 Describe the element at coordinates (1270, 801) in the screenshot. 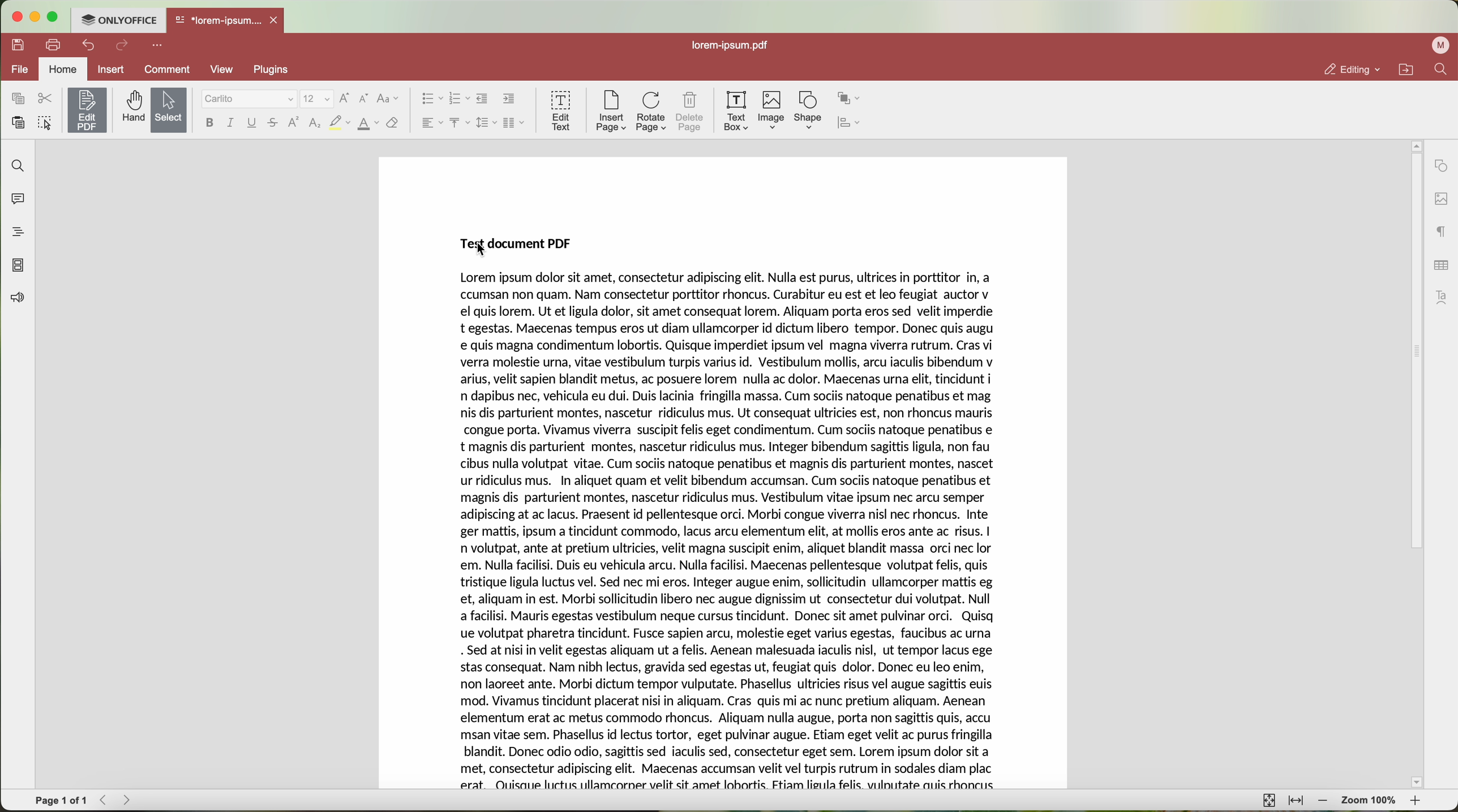

I see `fit to page` at that location.